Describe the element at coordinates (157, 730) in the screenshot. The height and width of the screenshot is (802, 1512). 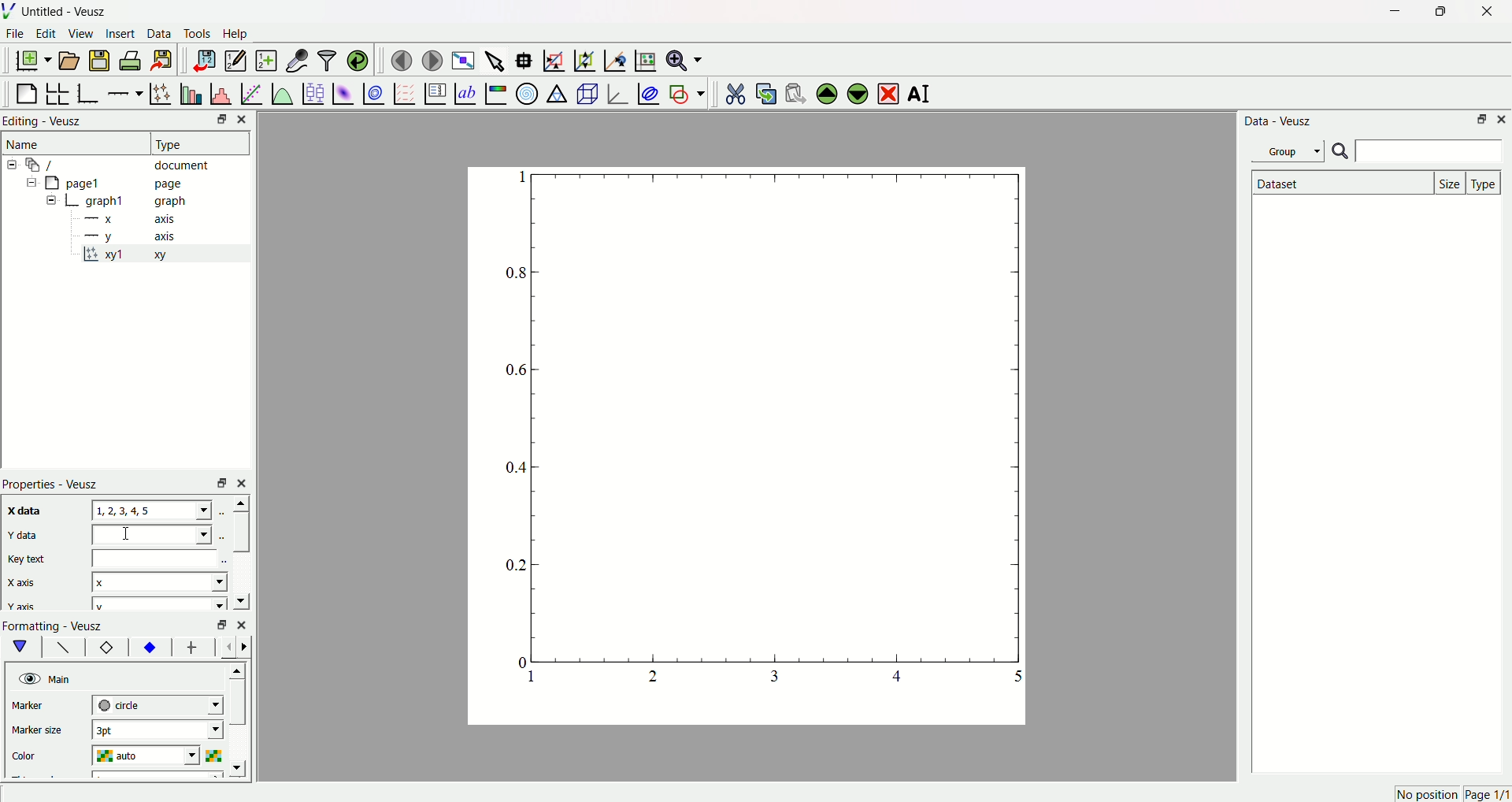
I see `3pt` at that location.